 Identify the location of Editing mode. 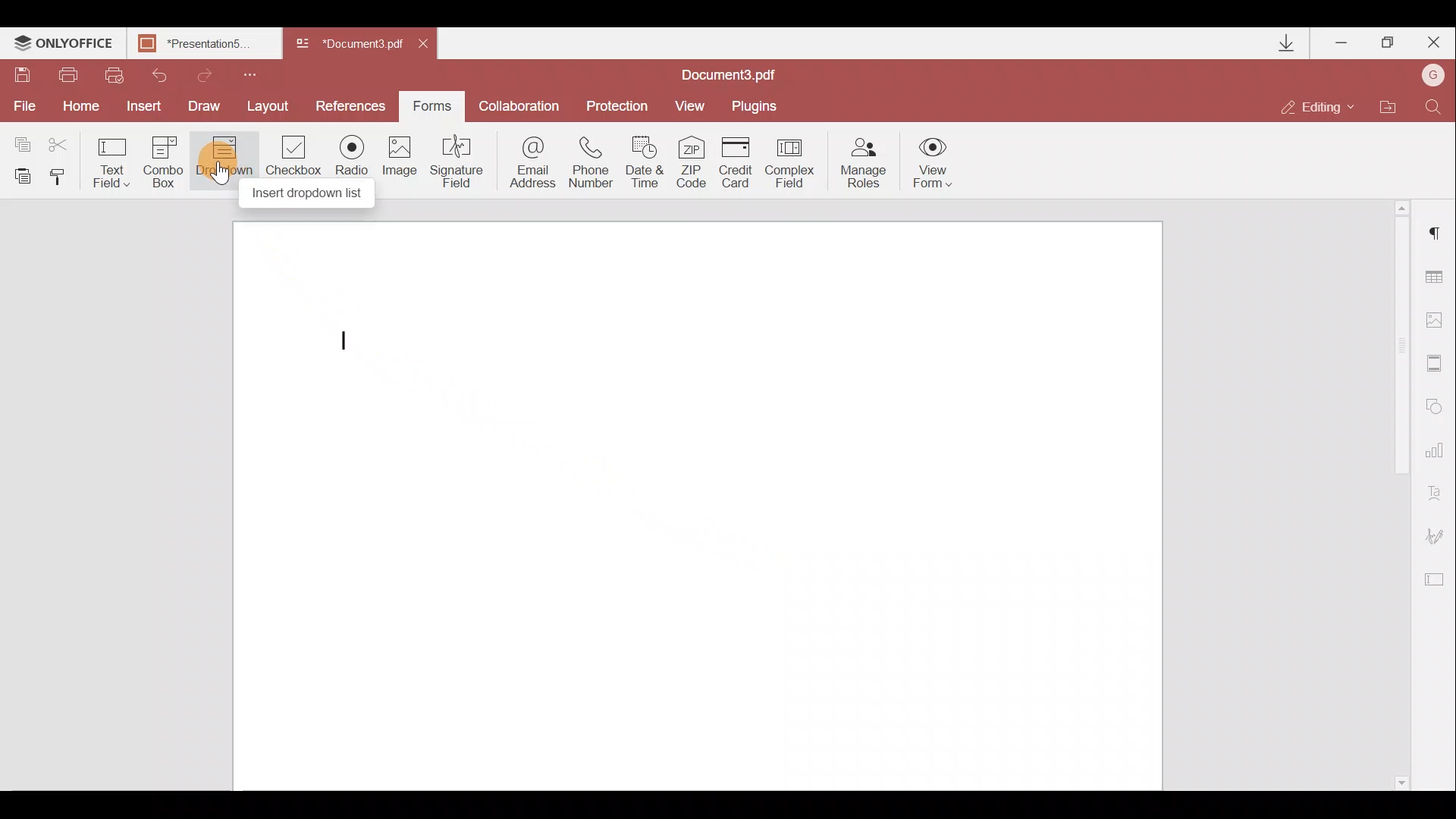
(1319, 108).